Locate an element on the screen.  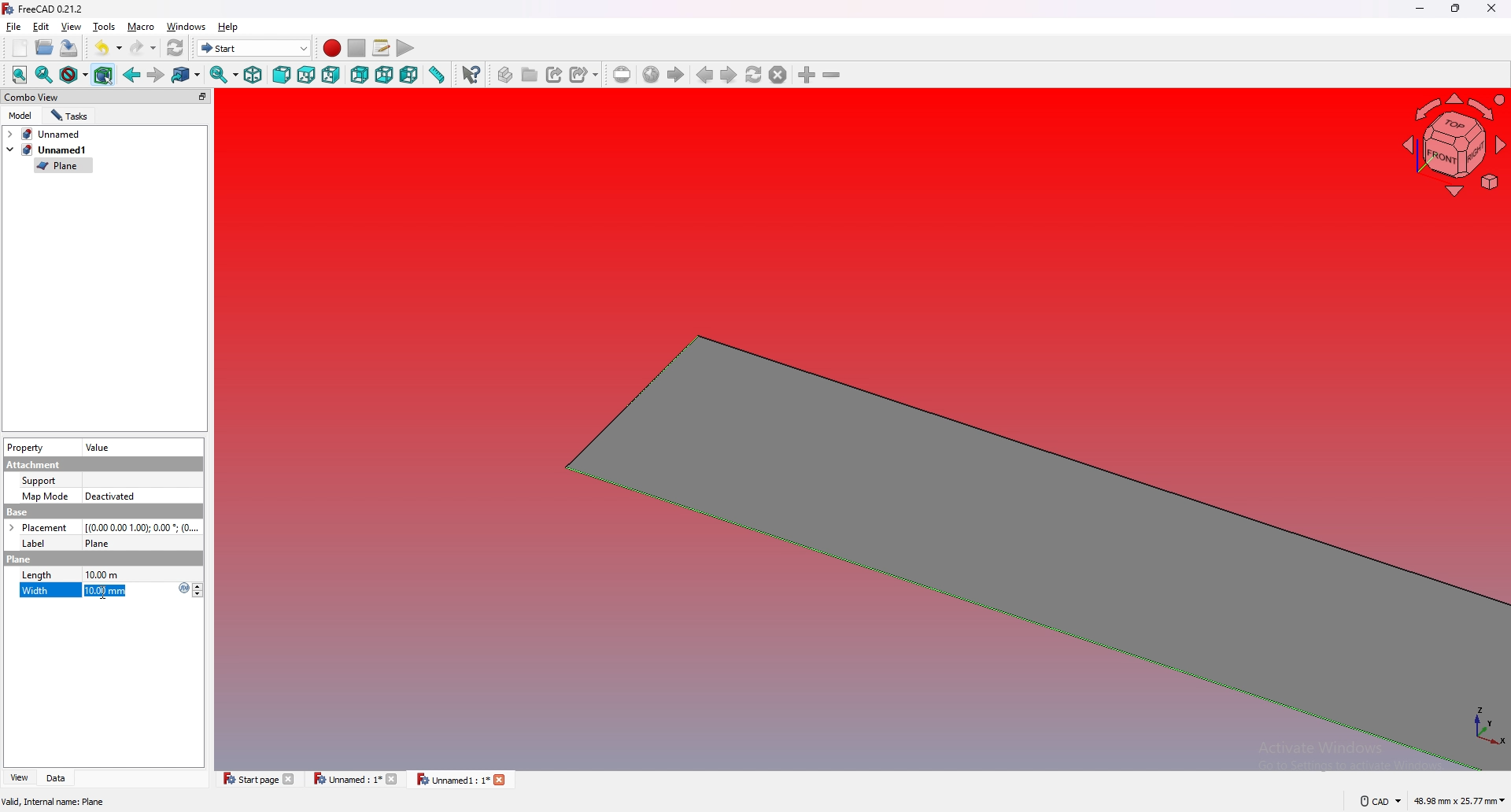
execute macro is located at coordinates (406, 48).